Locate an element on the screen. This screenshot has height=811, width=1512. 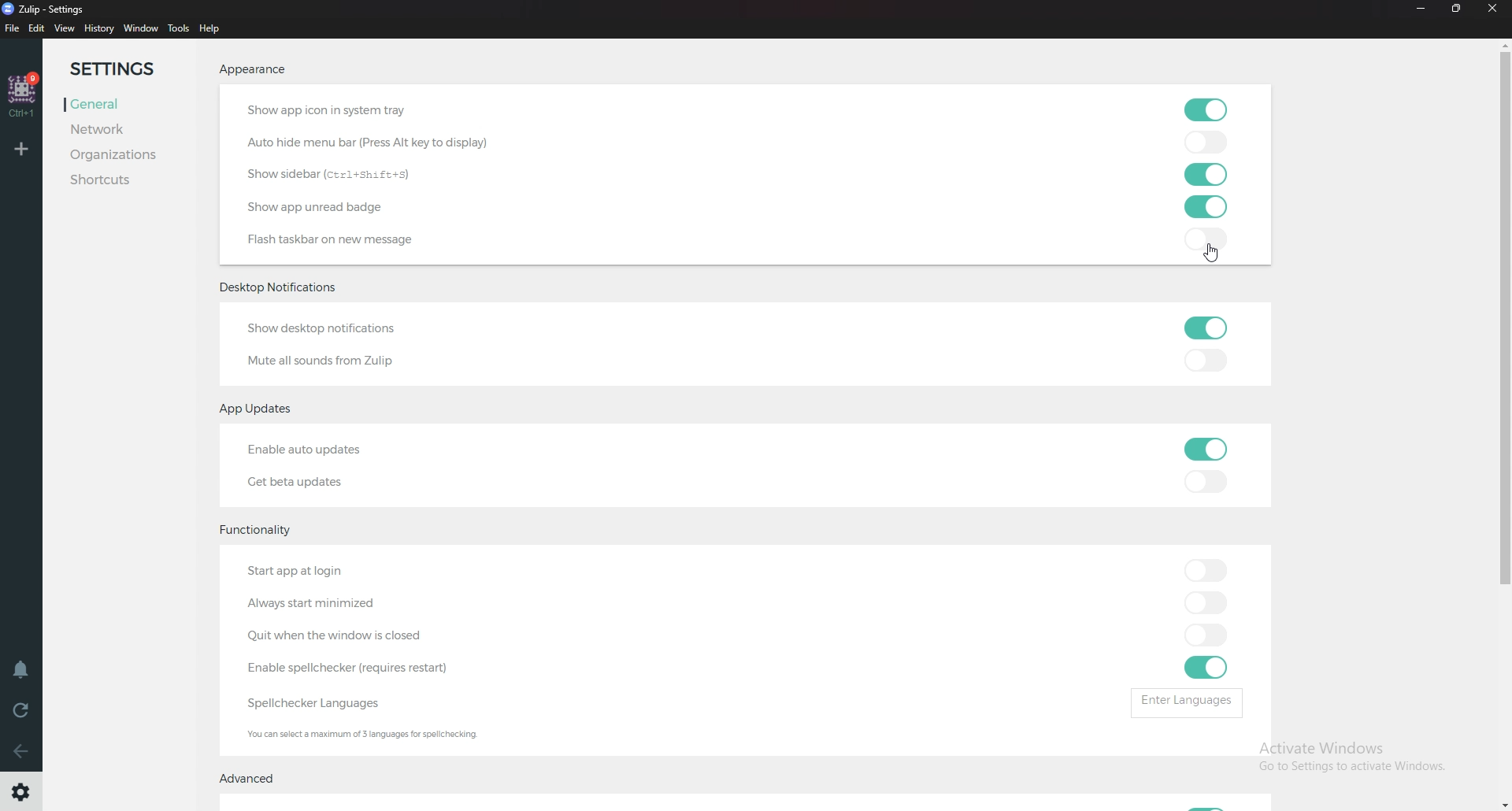
toggle is located at coordinates (1203, 175).